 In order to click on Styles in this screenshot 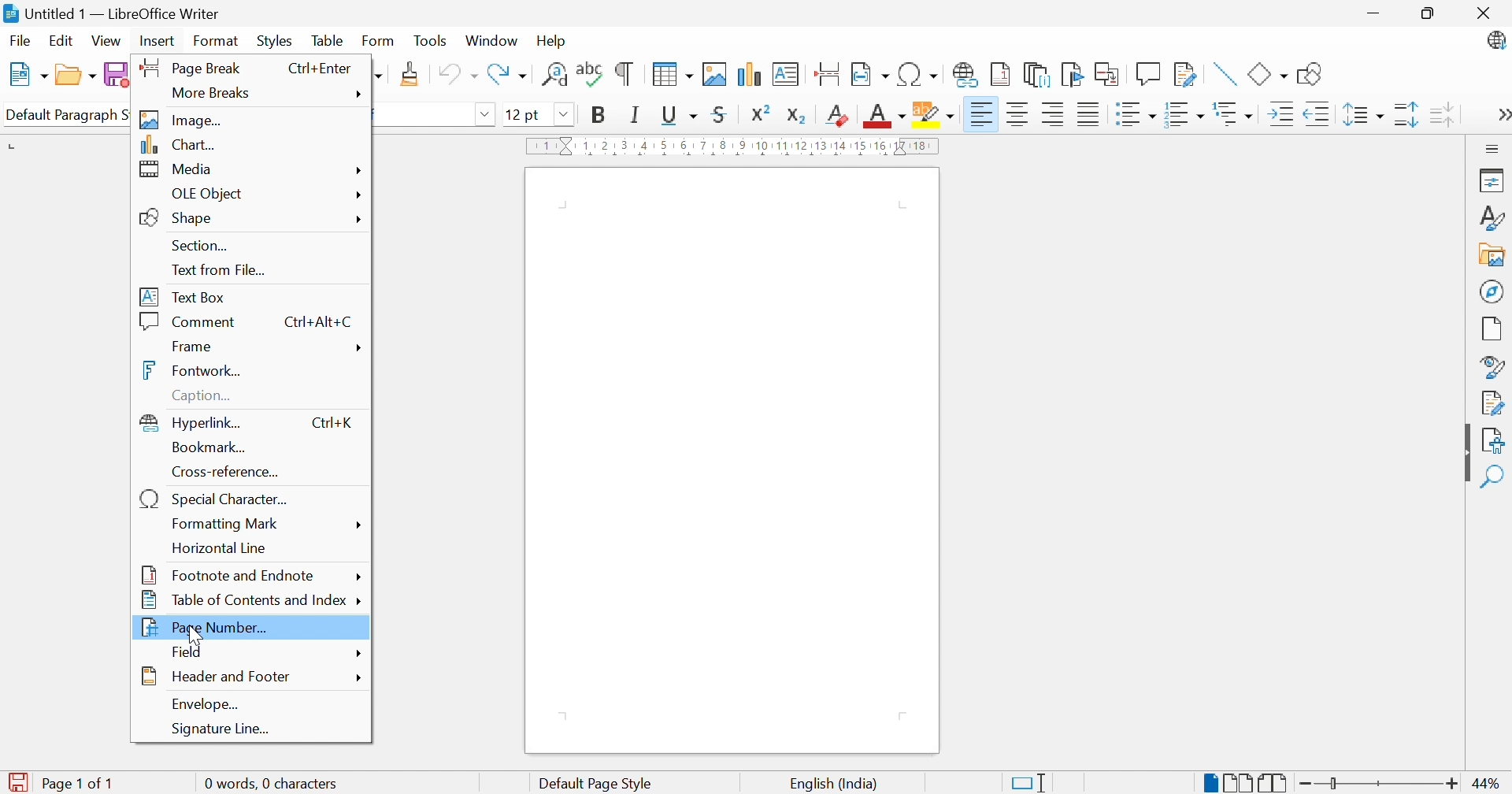, I will do `click(274, 42)`.